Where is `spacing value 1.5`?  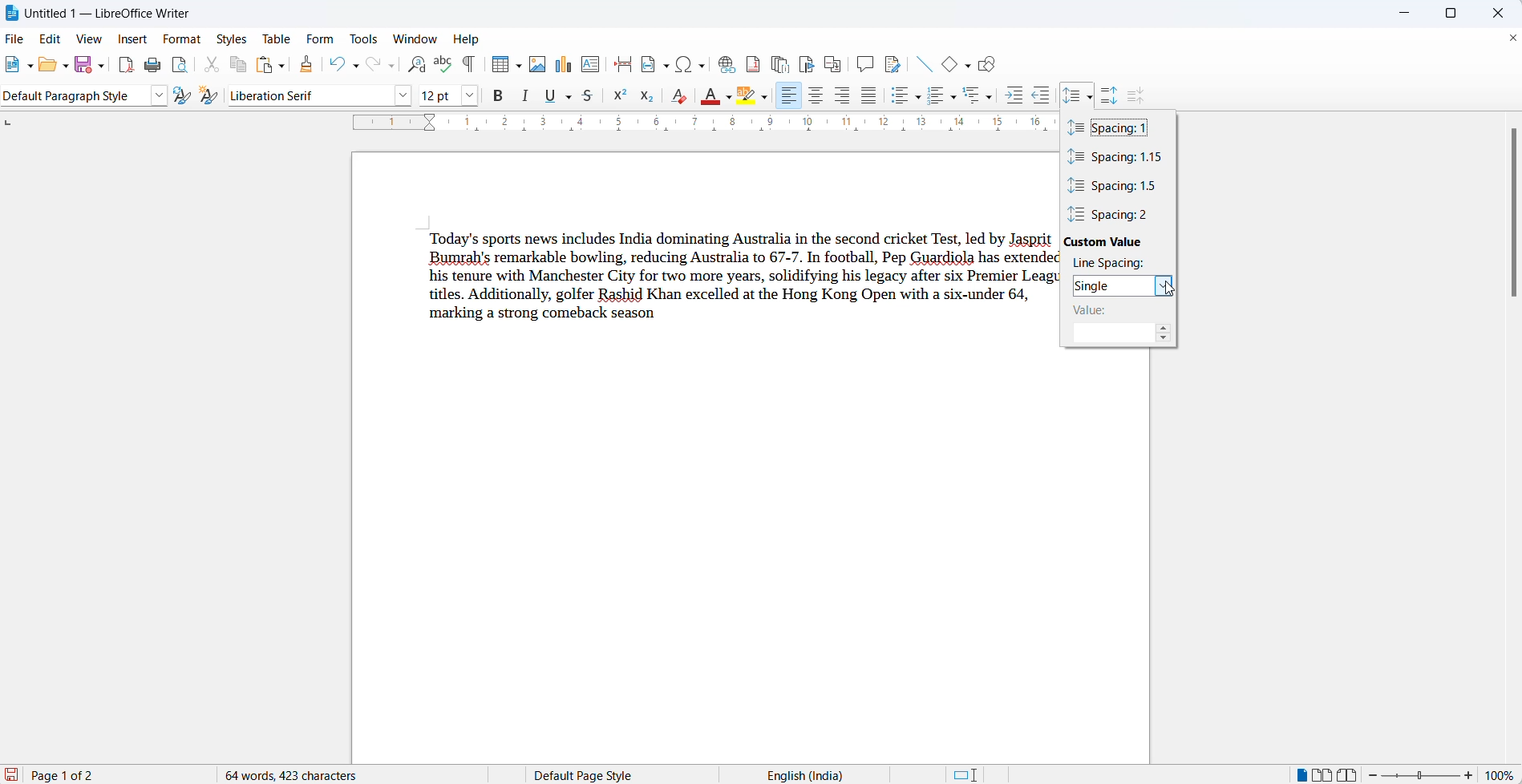 spacing value 1.5 is located at coordinates (1116, 186).